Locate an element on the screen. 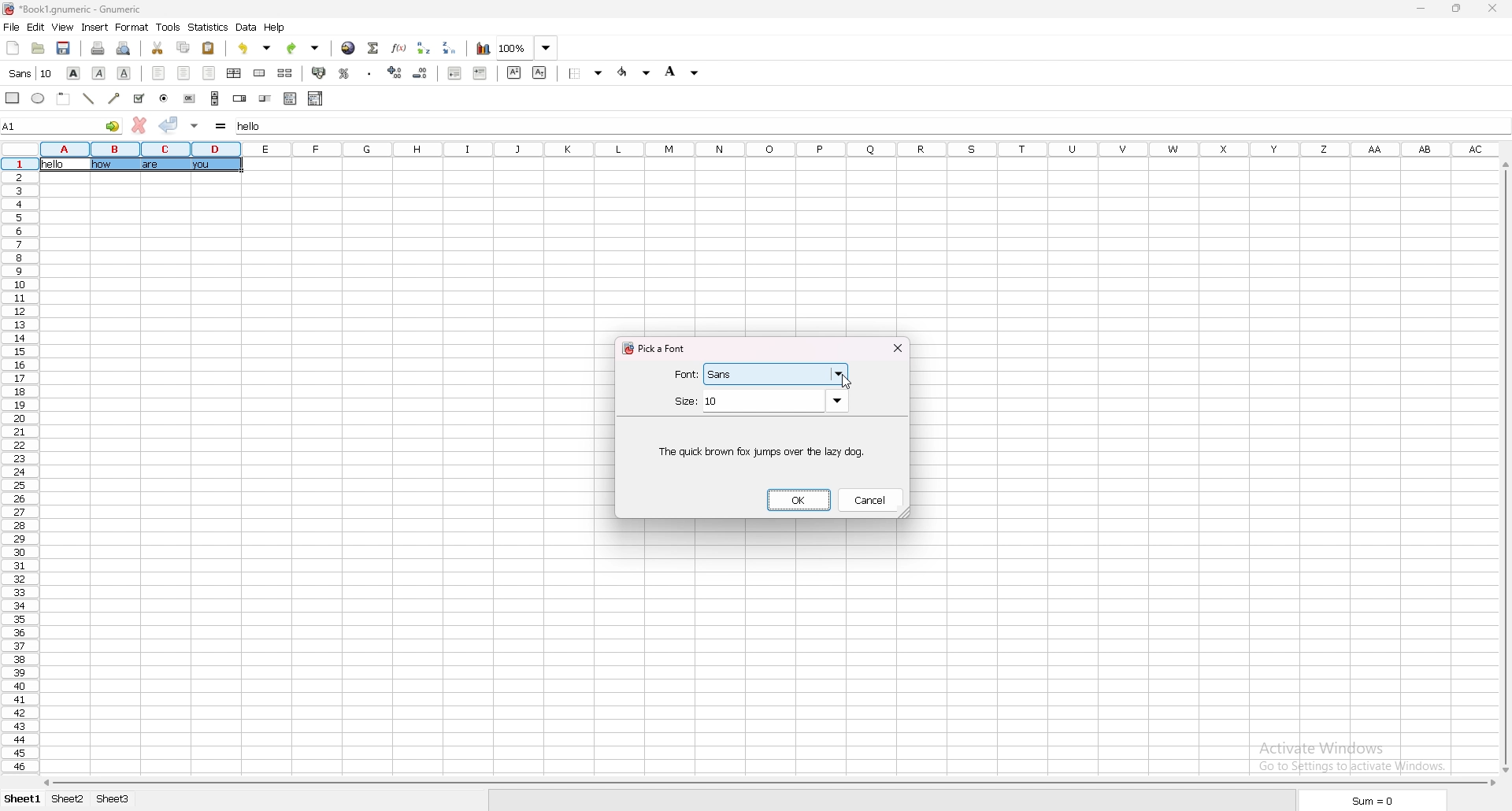 The width and height of the screenshot is (1512, 811). tools is located at coordinates (169, 27).